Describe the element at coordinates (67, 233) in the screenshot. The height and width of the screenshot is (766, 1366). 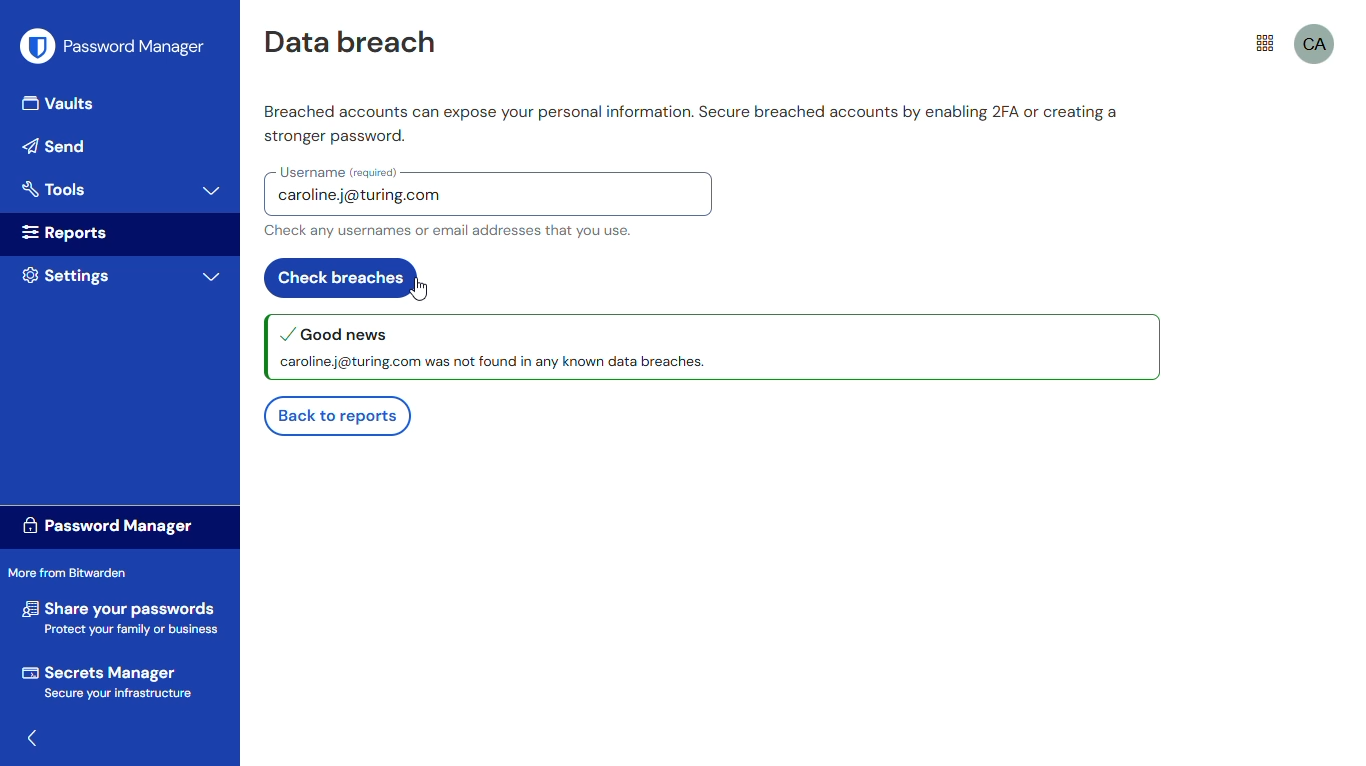
I see `reports` at that location.